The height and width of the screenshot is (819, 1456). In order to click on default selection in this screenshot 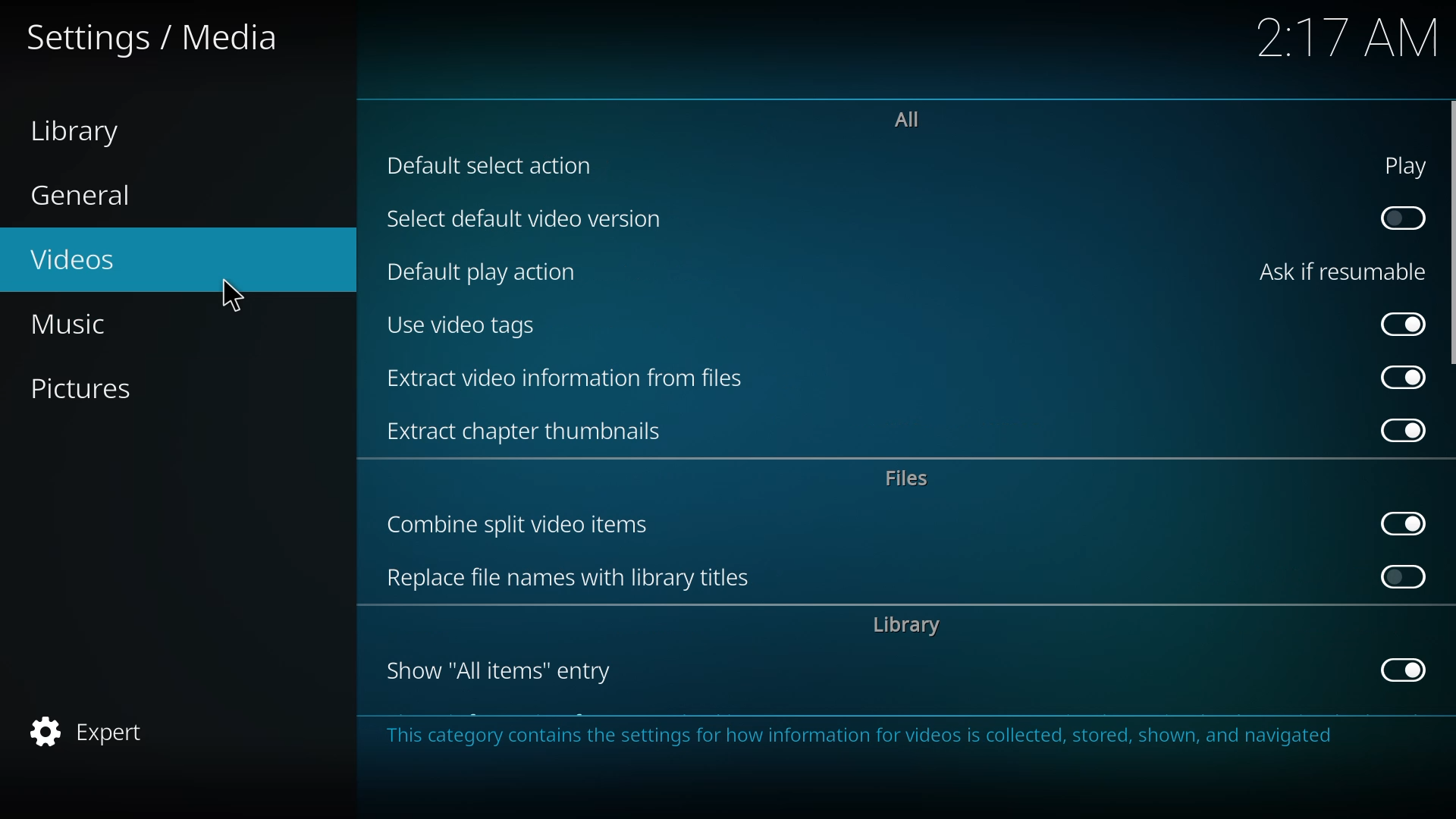, I will do `click(498, 165)`.